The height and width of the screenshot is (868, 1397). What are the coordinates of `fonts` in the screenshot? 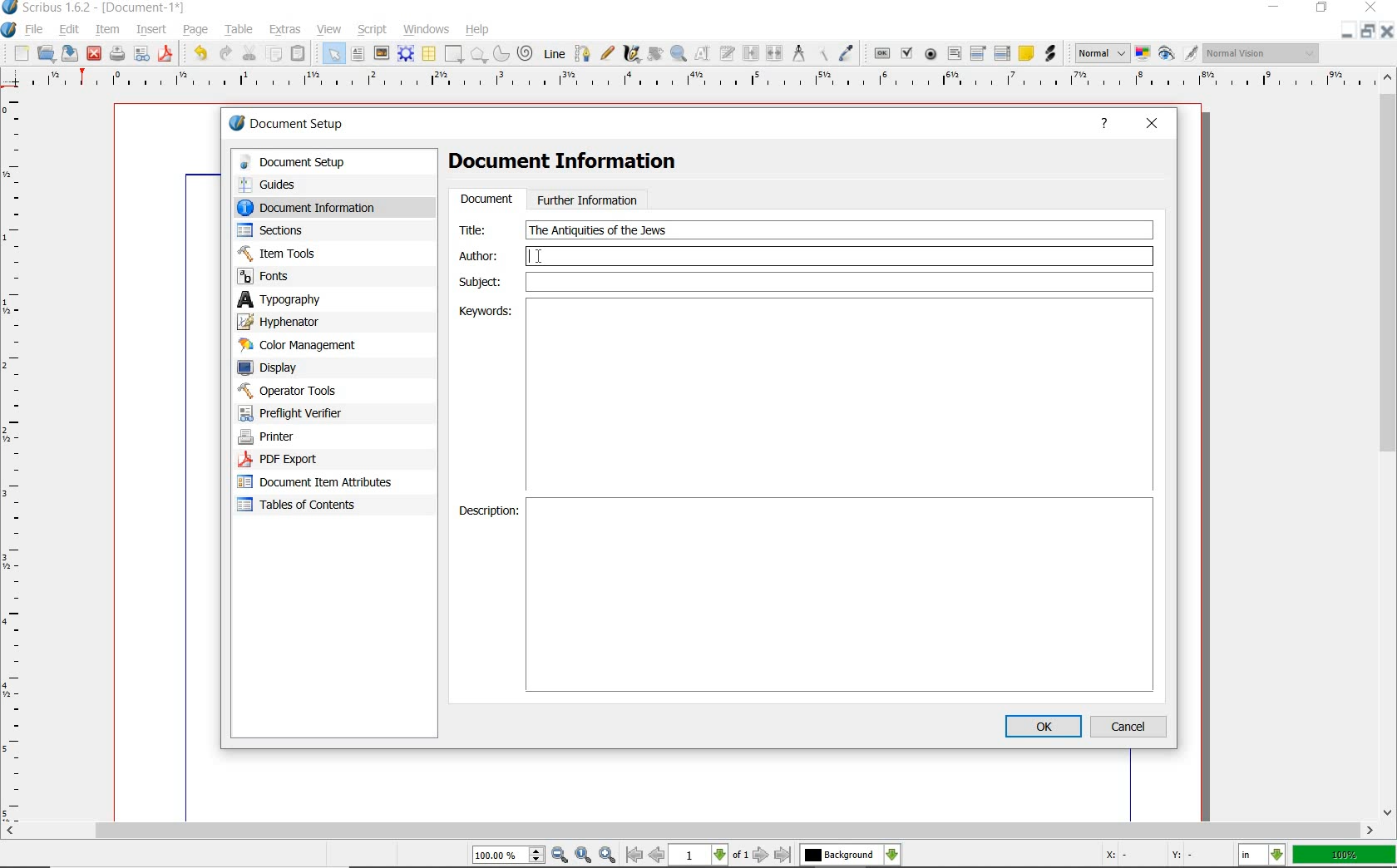 It's located at (315, 277).